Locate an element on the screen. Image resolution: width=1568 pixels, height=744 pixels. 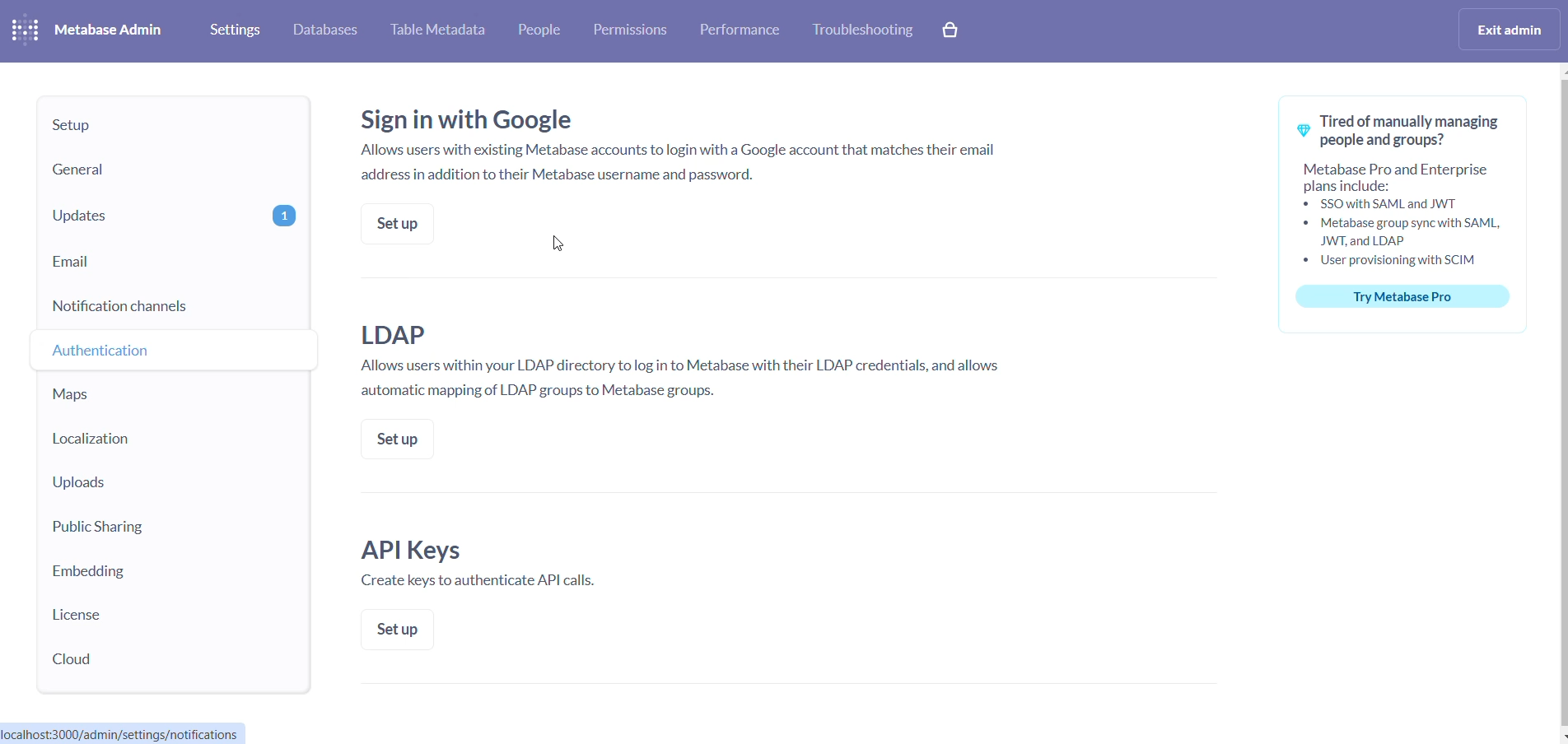
Tired of manually managing
\4
people and groups?
Metabase Pro and Enterprise
plans include:
«SSO with SAML and JWT
« Metabase group sync with SAML,
JWT, and LDAP
«User provisioning with SCIM is located at coordinates (1405, 186).